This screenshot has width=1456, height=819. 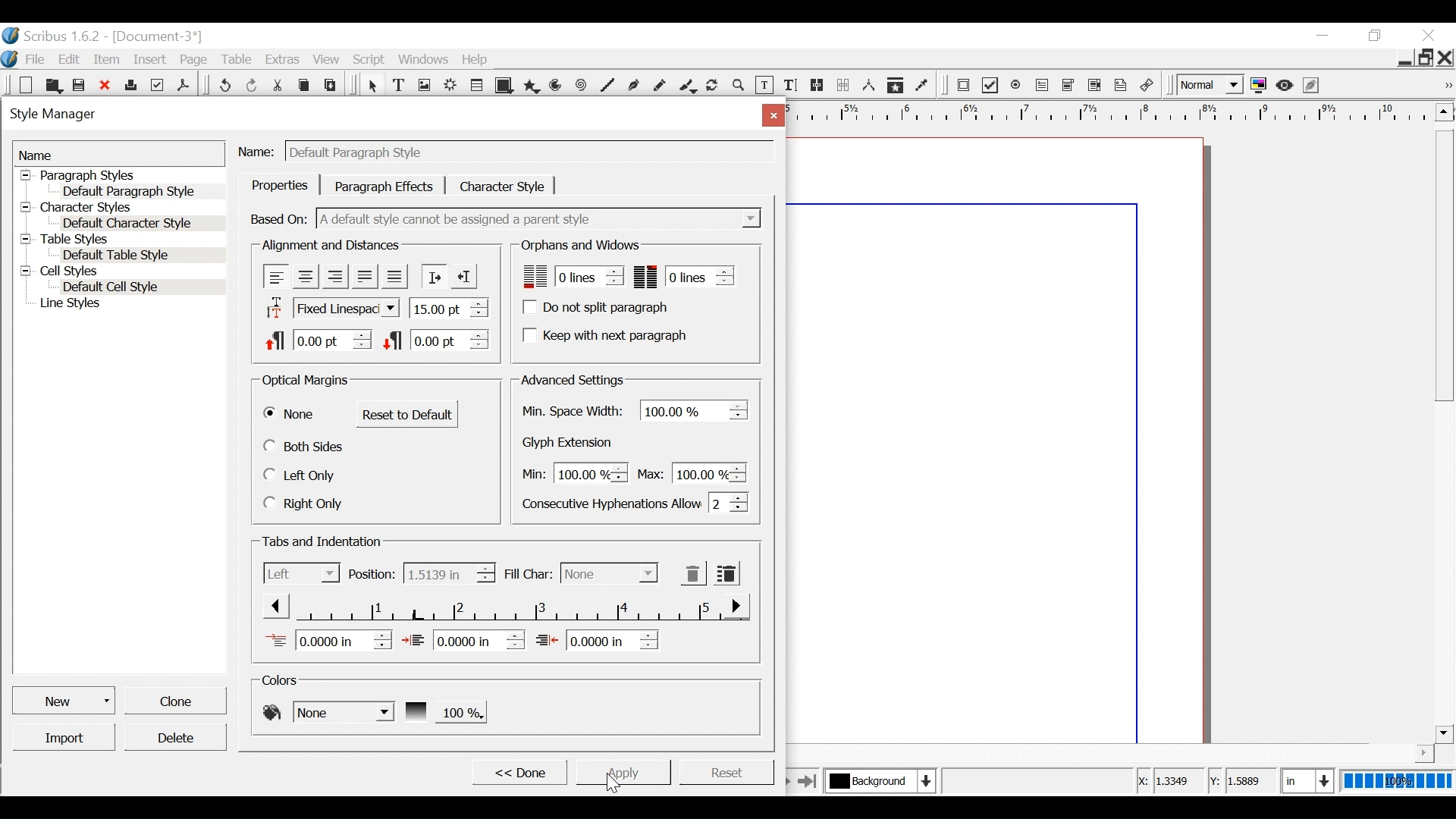 What do you see at coordinates (327, 59) in the screenshot?
I see `View` at bounding box center [327, 59].